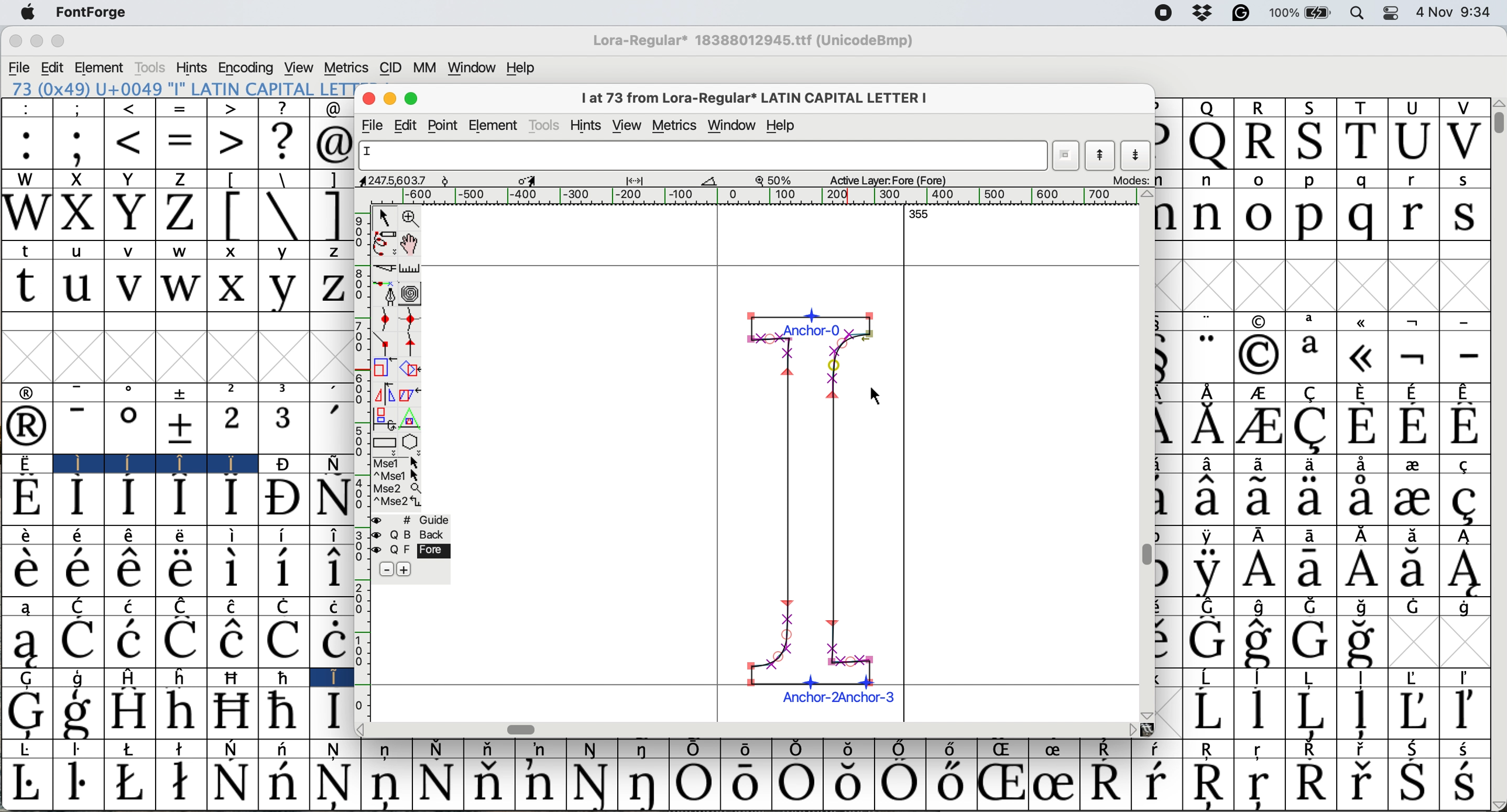  What do you see at coordinates (333, 144) in the screenshot?
I see `@` at bounding box center [333, 144].